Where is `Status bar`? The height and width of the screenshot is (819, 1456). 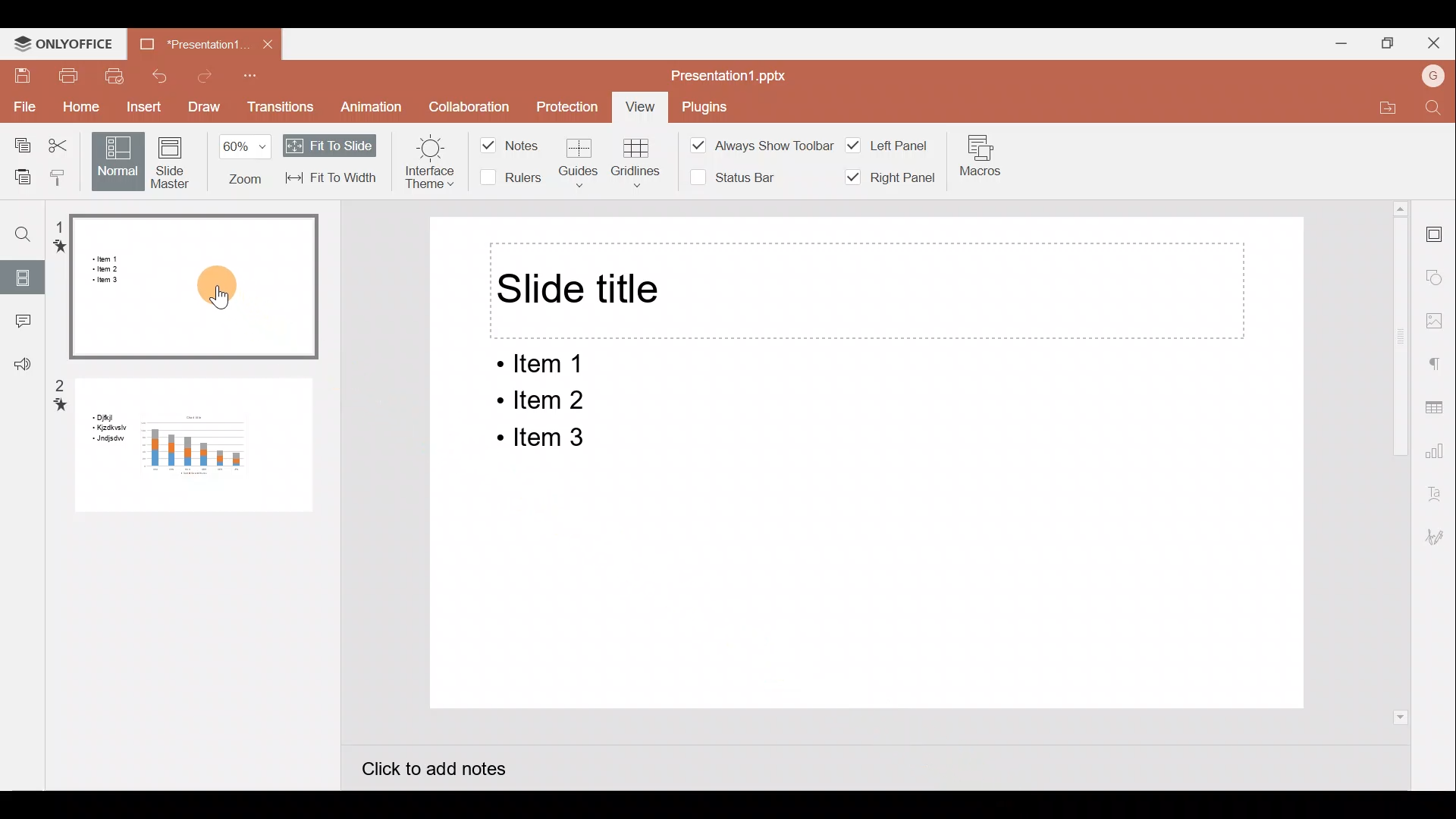 Status bar is located at coordinates (741, 175).